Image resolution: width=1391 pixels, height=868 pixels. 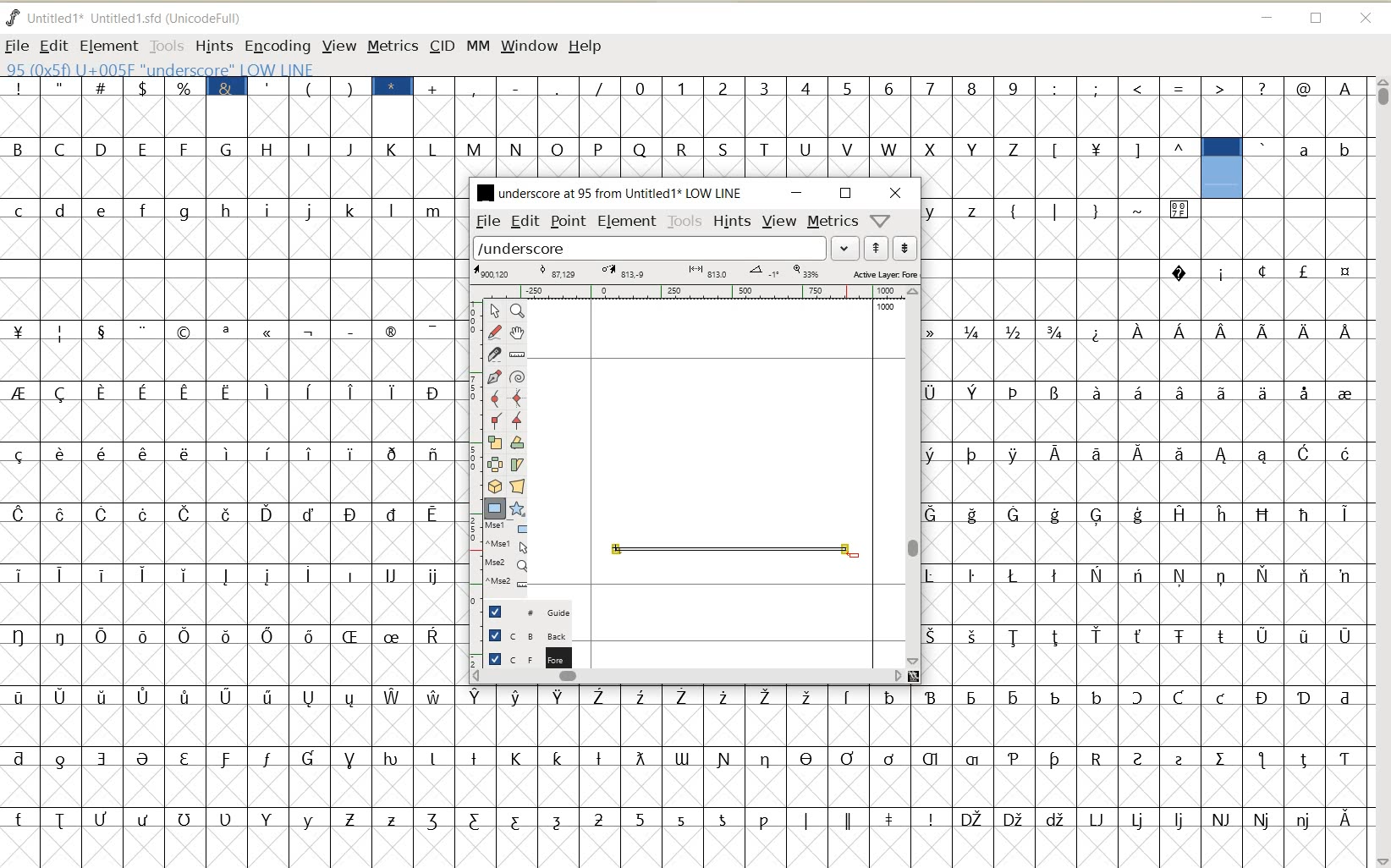 What do you see at coordinates (522, 656) in the screenshot?
I see `FOREGROUND` at bounding box center [522, 656].